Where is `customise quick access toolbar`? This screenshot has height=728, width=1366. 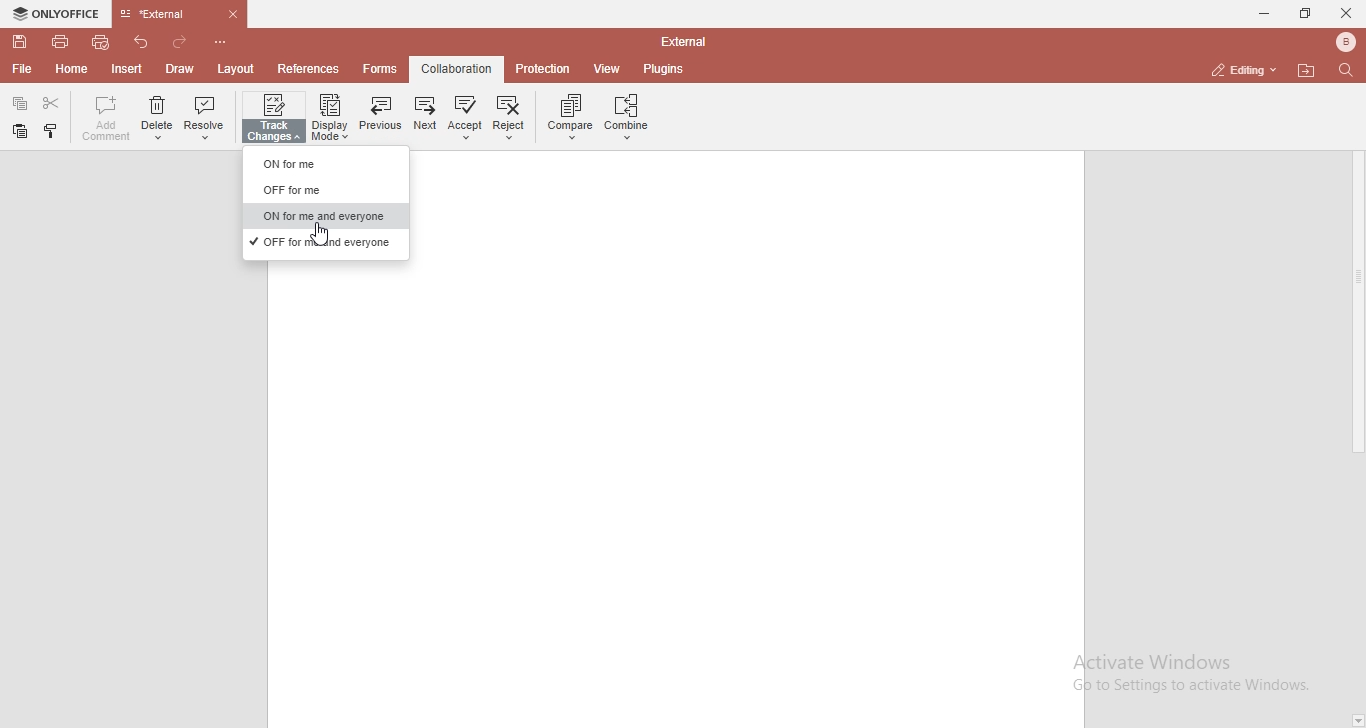 customise quick access toolbar is located at coordinates (220, 41).